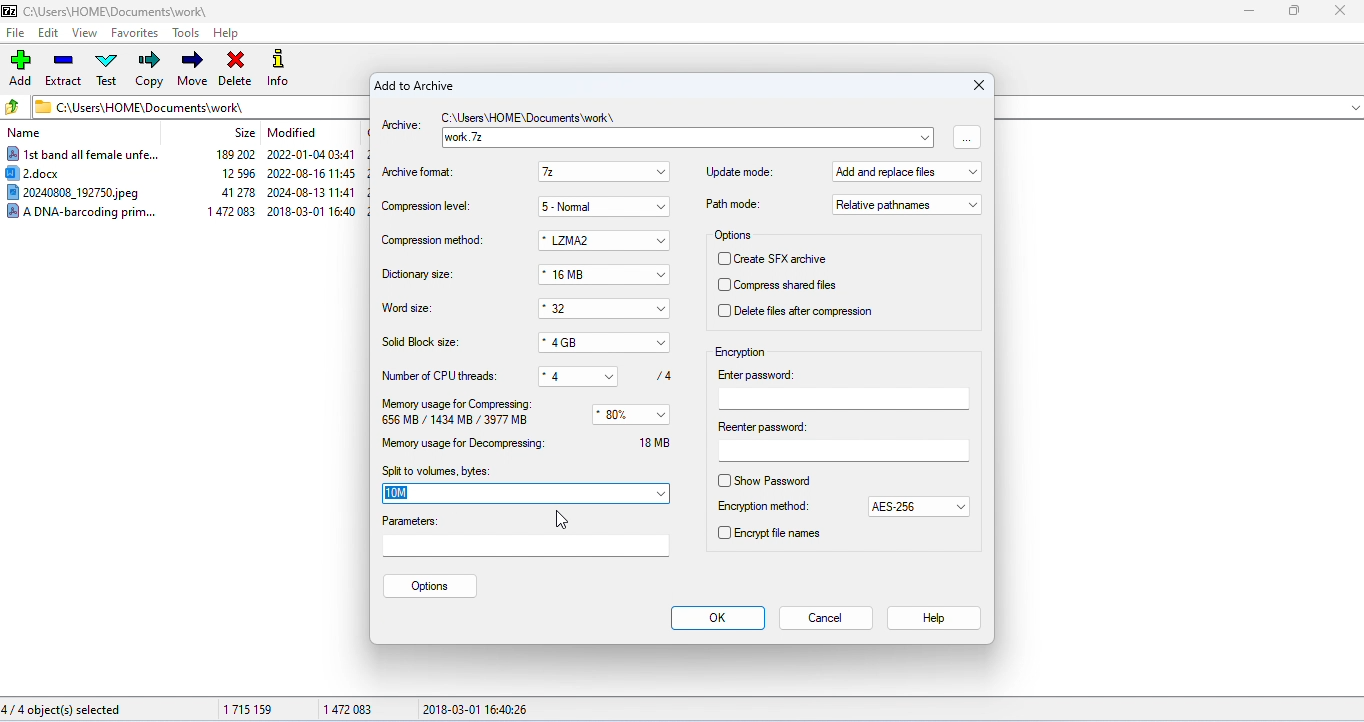  Describe the element at coordinates (63, 69) in the screenshot. I see `extract` at that location.